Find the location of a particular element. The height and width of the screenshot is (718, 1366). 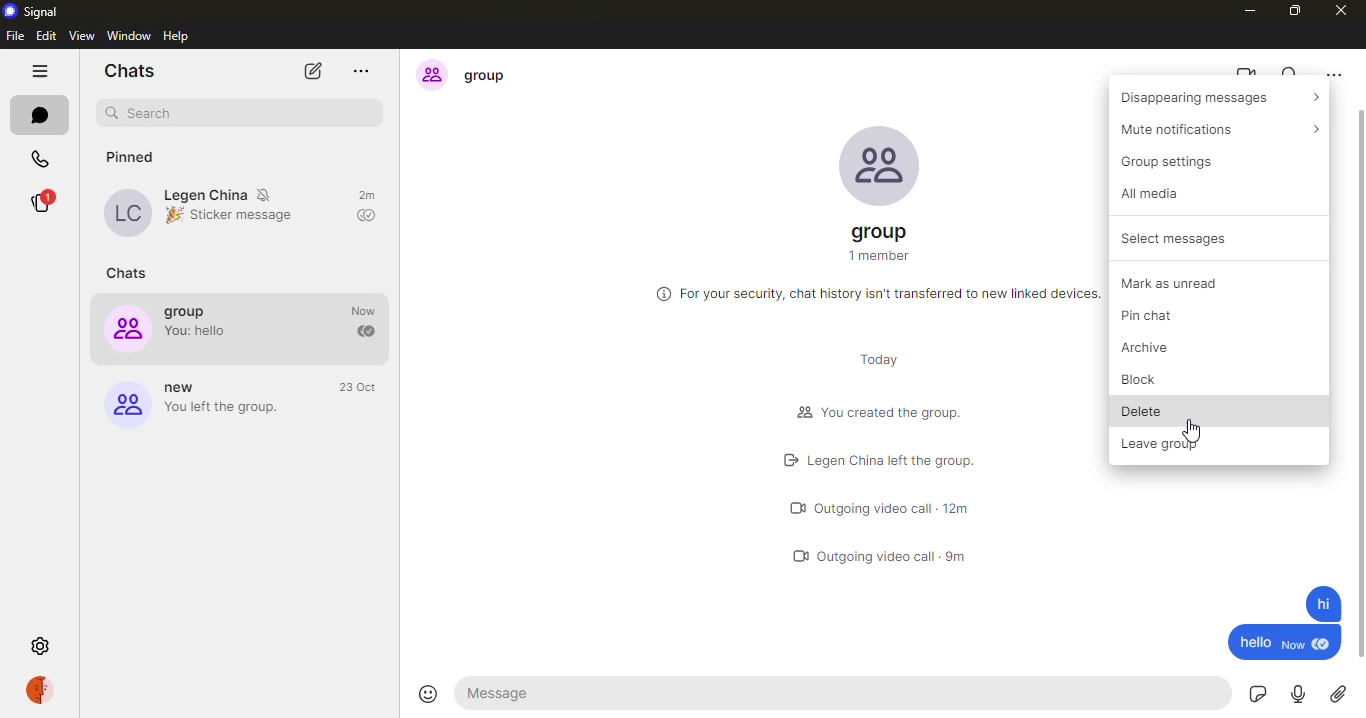

Legen China is located at coordinates (205, 194).